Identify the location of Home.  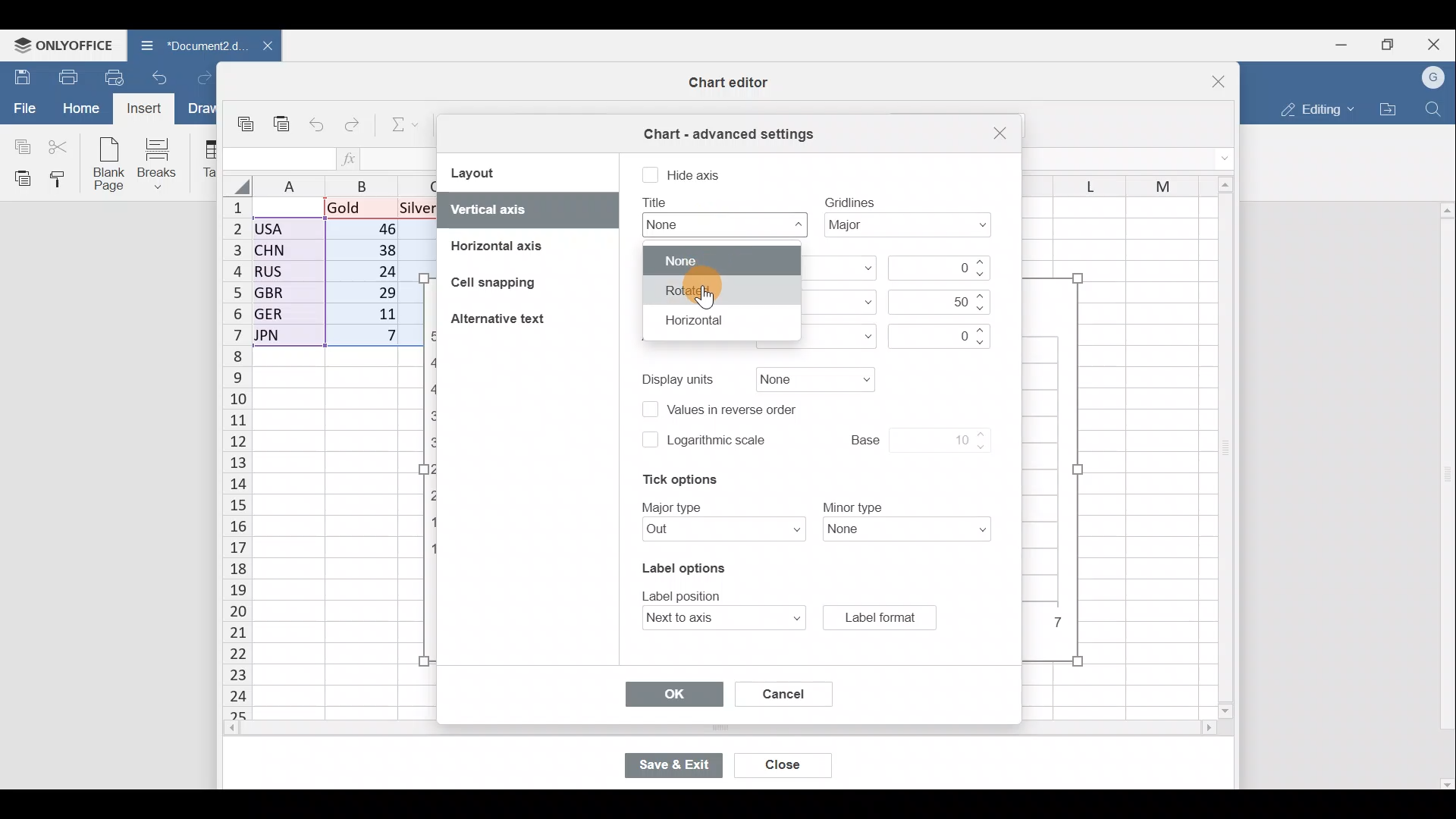
(80, 110).